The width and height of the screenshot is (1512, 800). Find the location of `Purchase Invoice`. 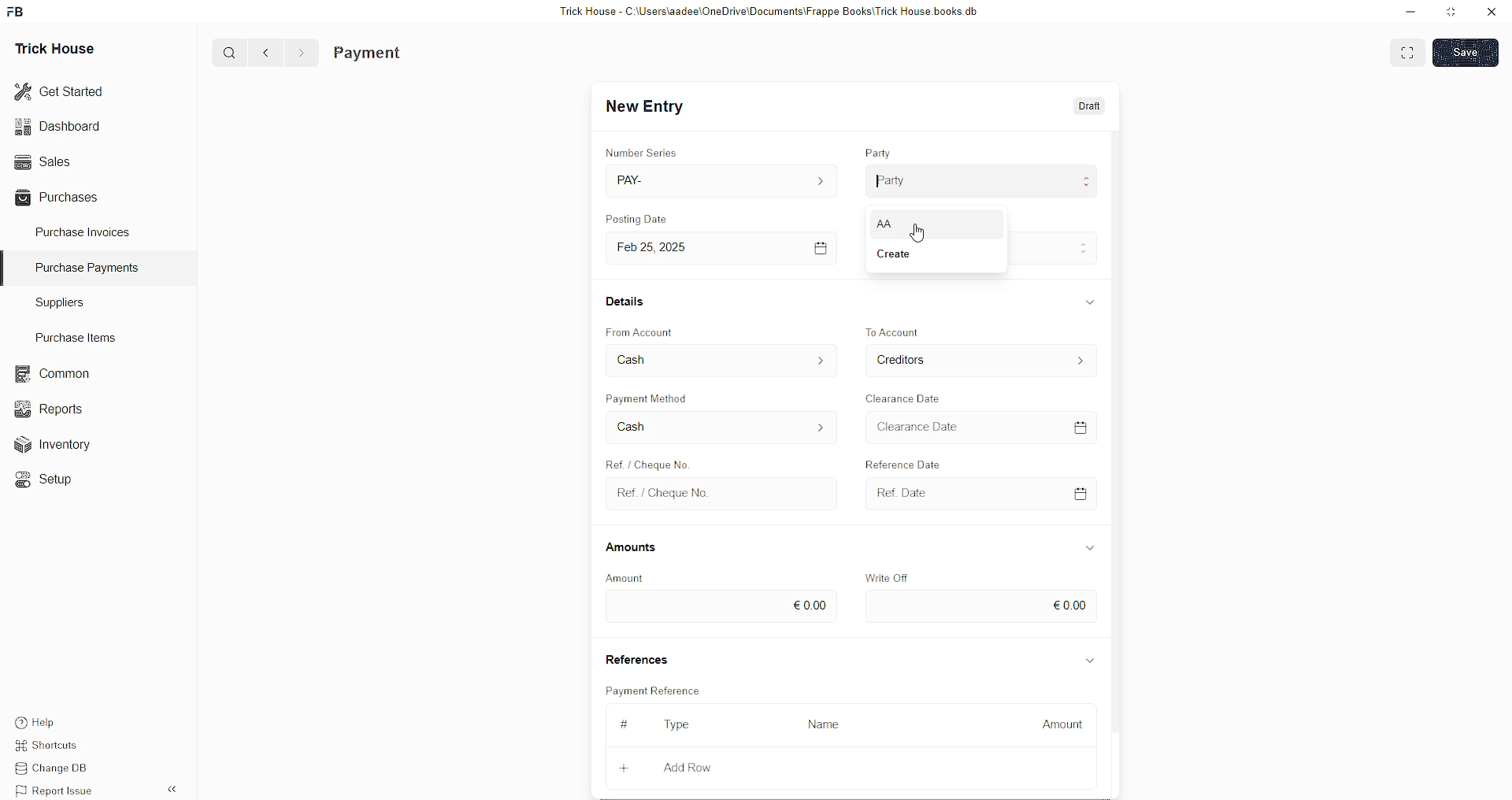

Purchase Invoice is located at coordinates (406, 53).